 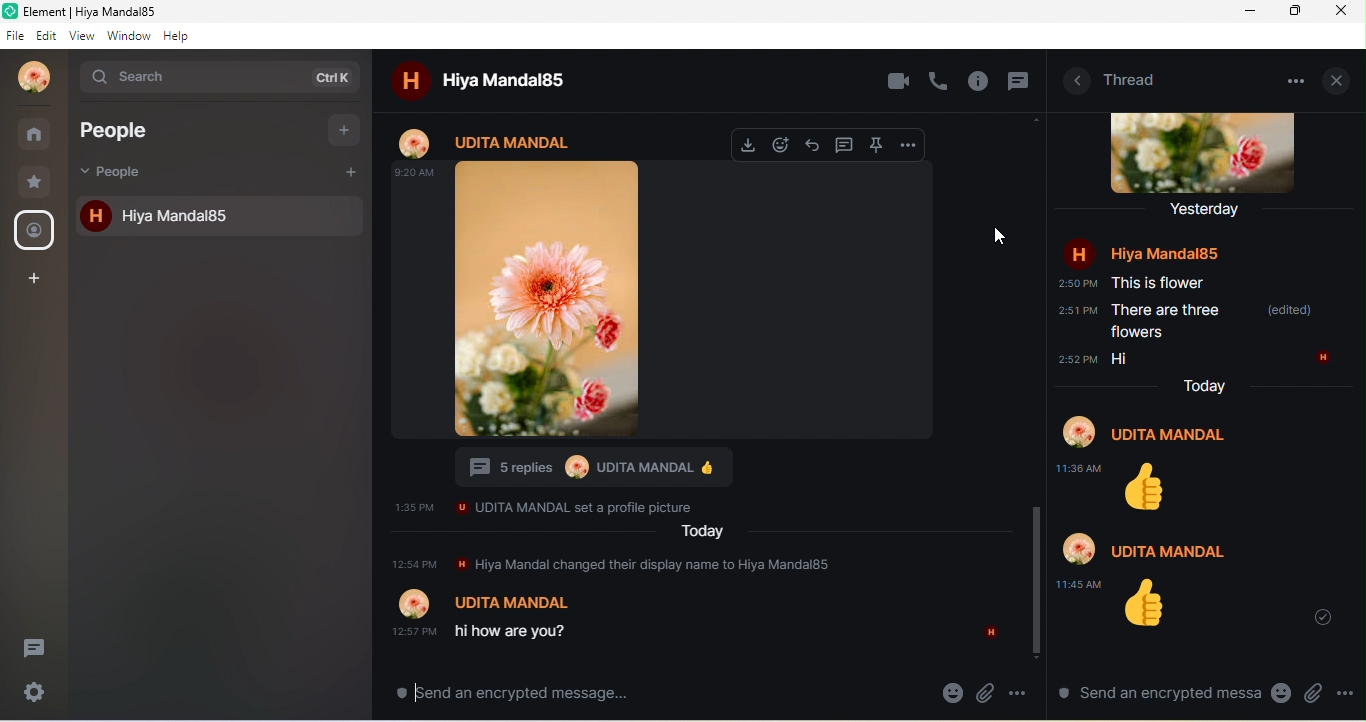 What do you see at coordinates (413, 564) in the screenshot?
I see `12:57 PM` at bounding box center [413, 564].